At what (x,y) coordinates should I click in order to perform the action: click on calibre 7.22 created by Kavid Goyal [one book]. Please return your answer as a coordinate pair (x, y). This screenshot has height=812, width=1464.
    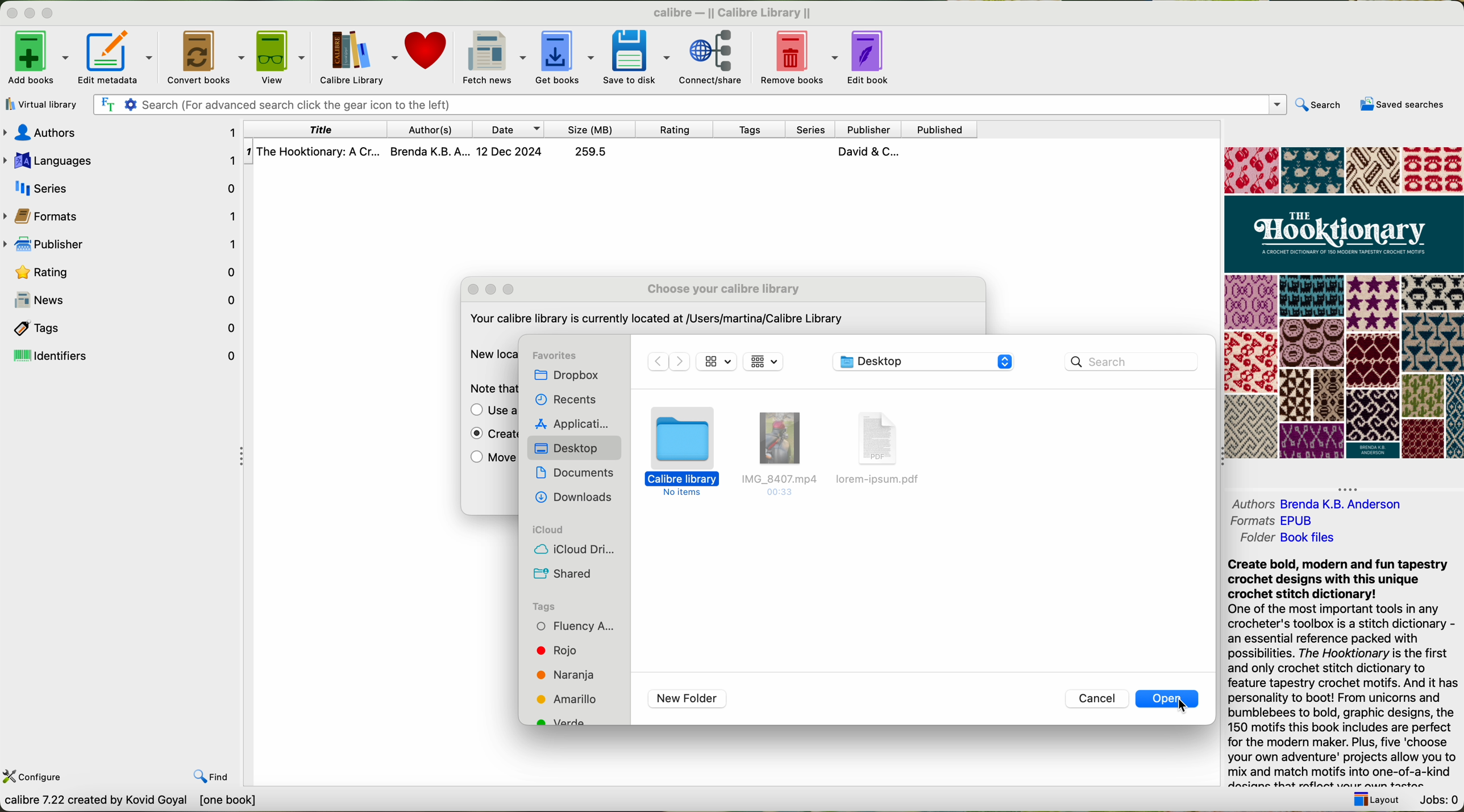
    Looking at the image, I should click on (163, 802).